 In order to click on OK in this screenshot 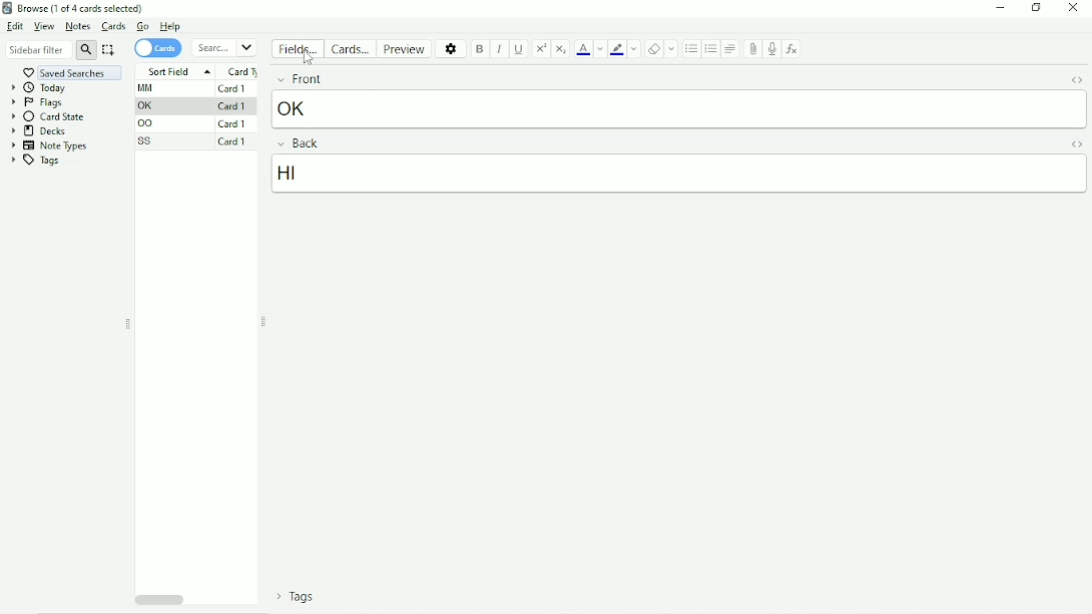, I will do `click(148, 106)`.